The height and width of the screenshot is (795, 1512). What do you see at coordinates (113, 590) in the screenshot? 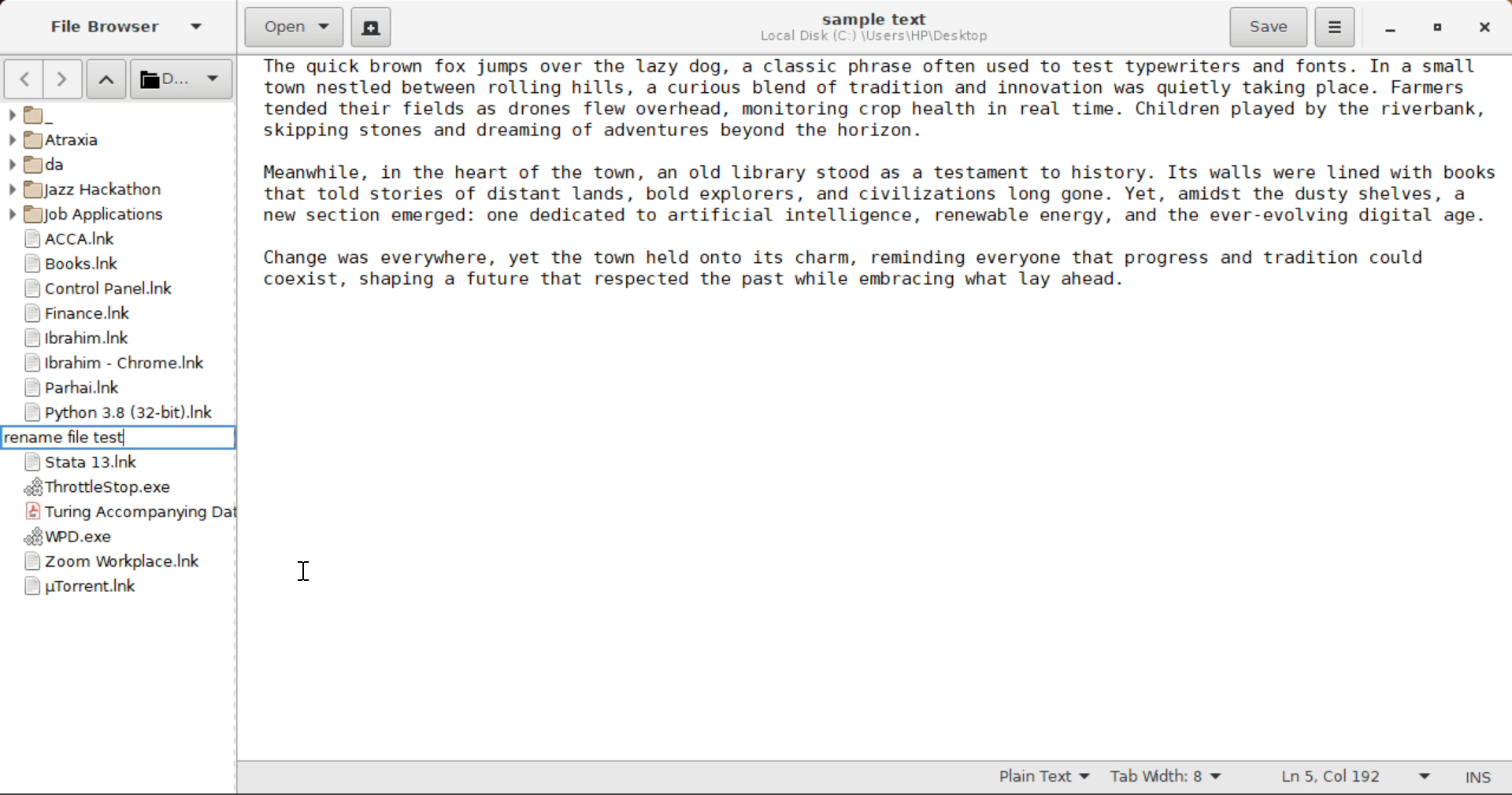
I see `uTorrent Application` at bounding box center [113, 590].